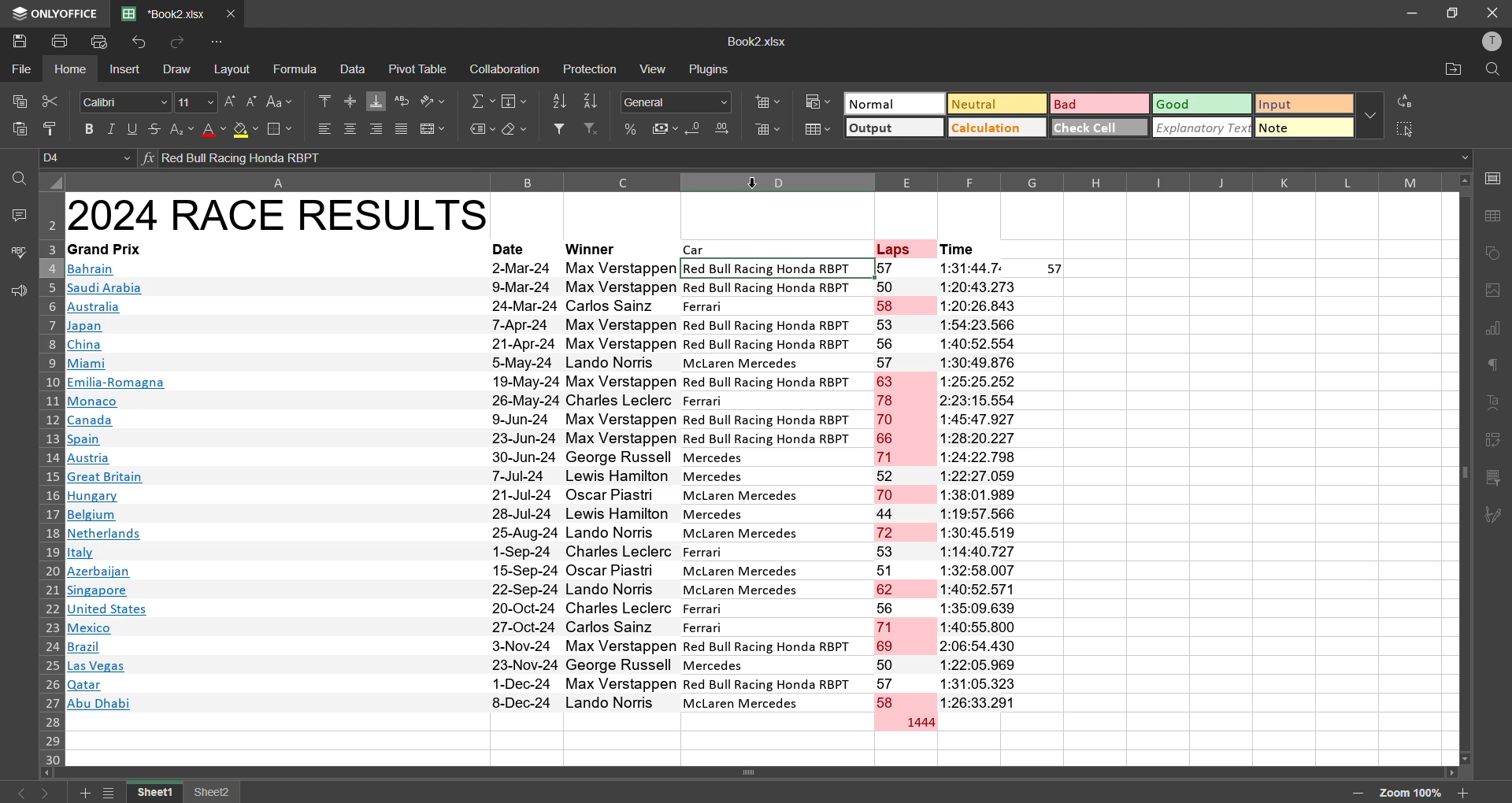  I want to click on wrap text, so click(402, 102).